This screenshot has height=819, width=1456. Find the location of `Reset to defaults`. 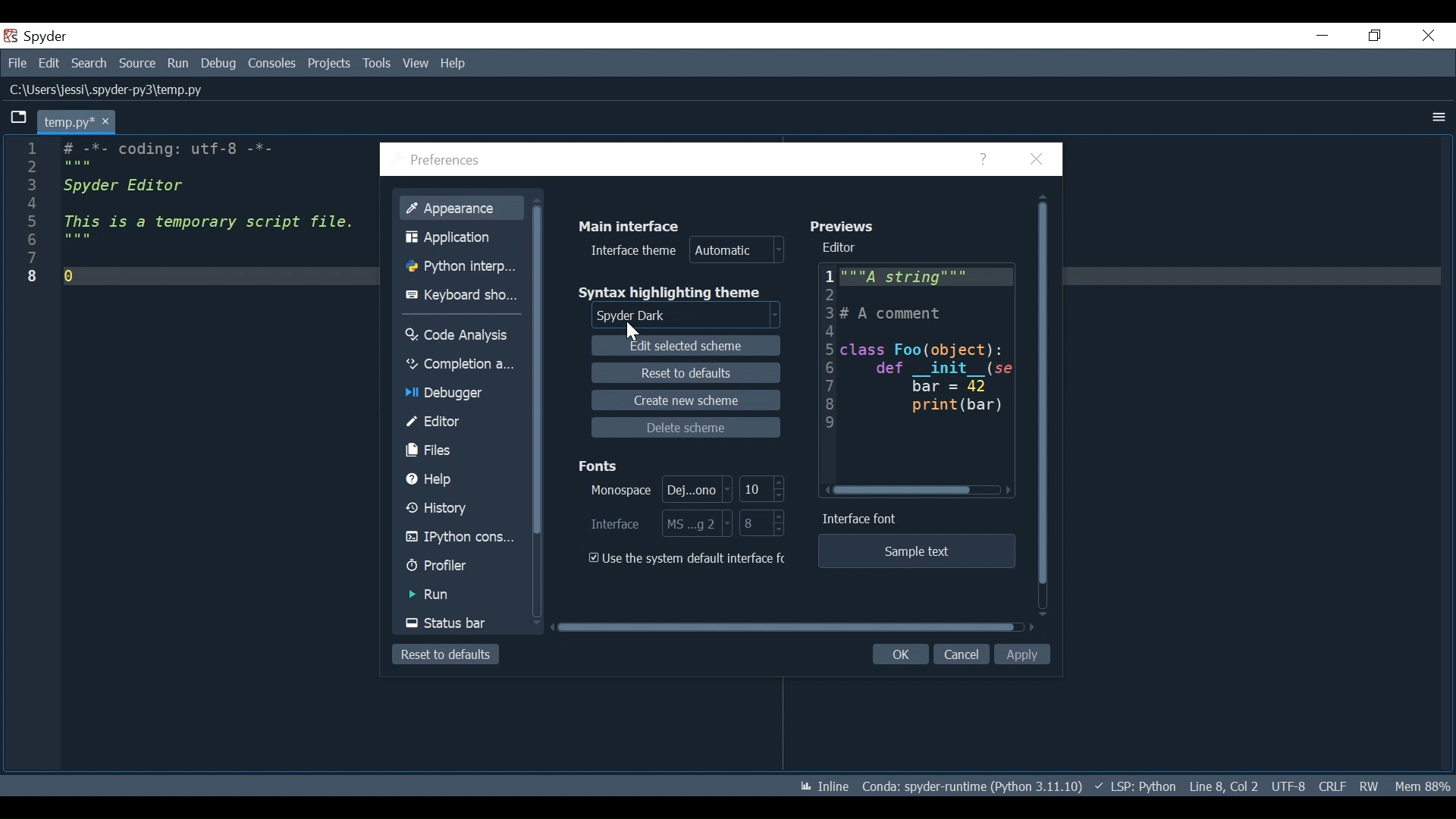

Reset to defaults is located at coordinates (685, 374).